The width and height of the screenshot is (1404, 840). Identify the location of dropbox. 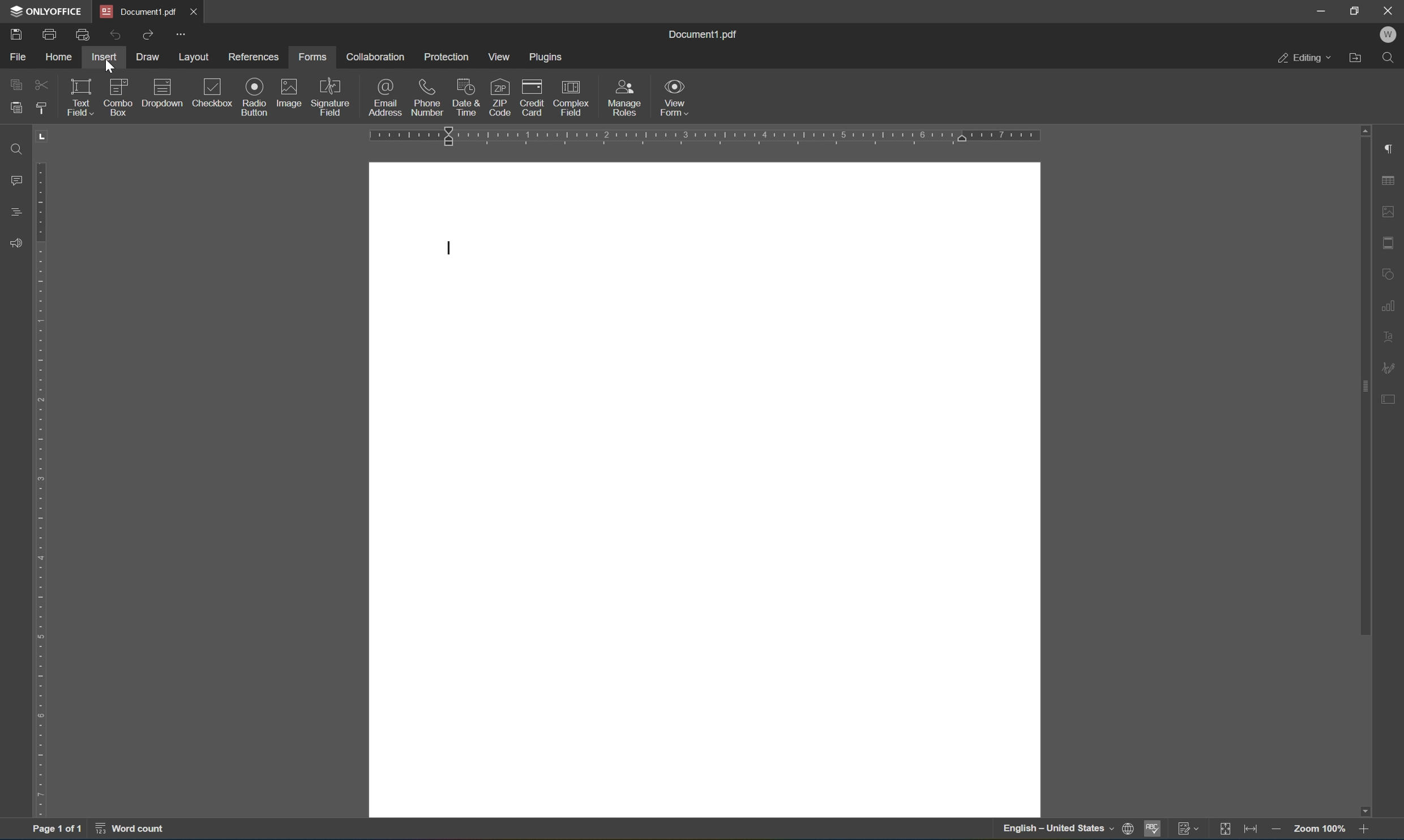
(160, 92).